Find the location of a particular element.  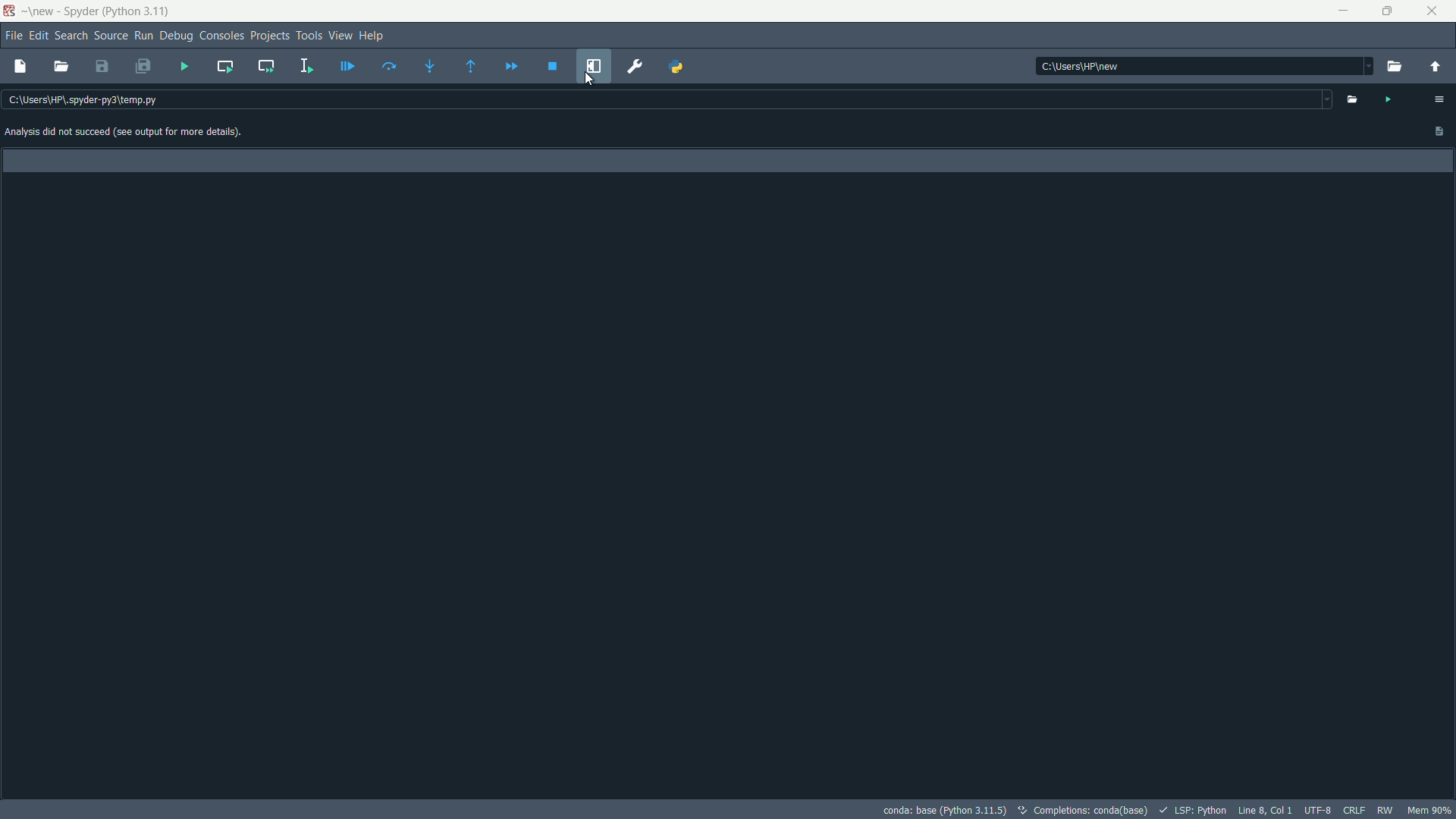

python path manager is located at coordinates (677, 65).